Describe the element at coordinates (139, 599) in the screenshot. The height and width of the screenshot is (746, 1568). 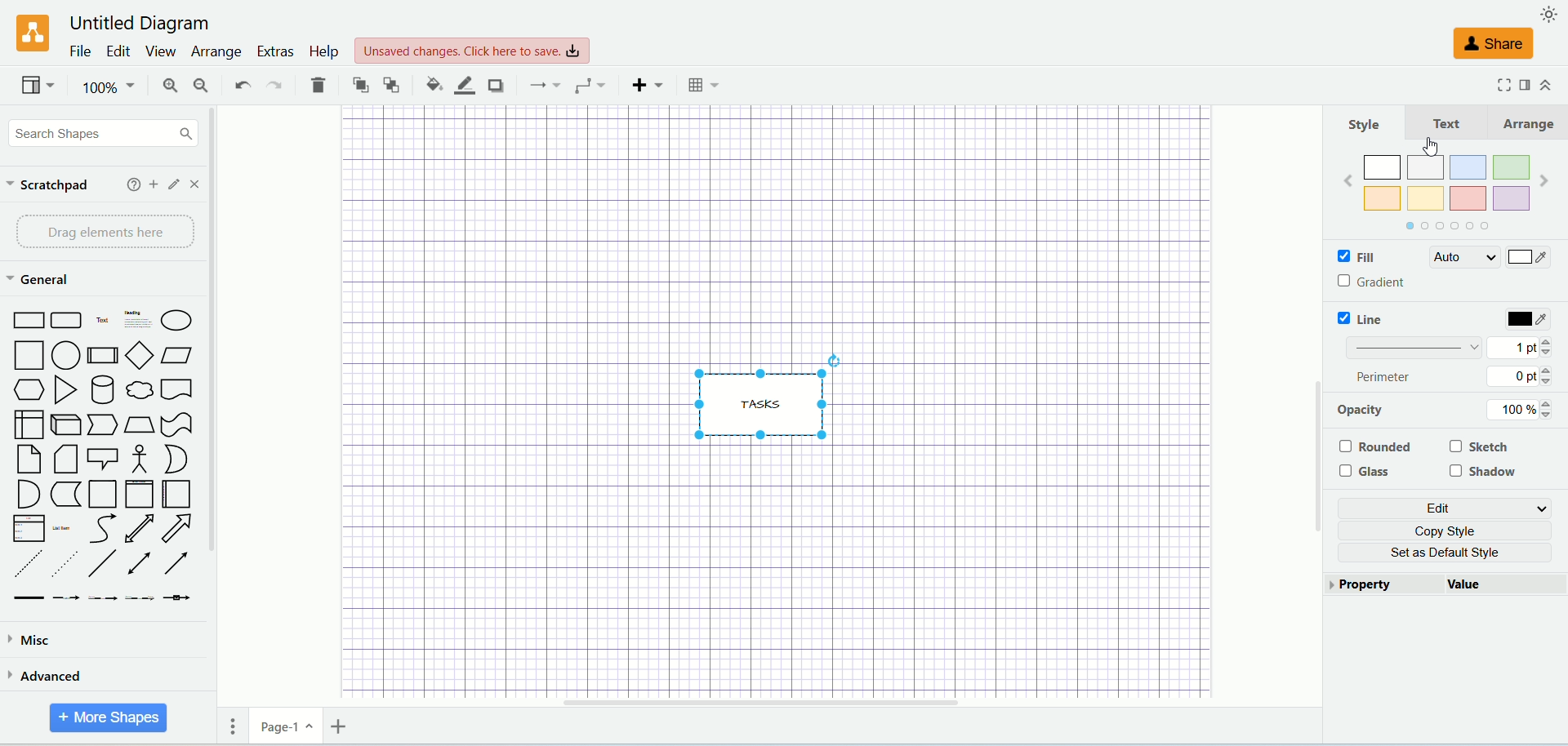
I see `Connector with 3 label` at that location.